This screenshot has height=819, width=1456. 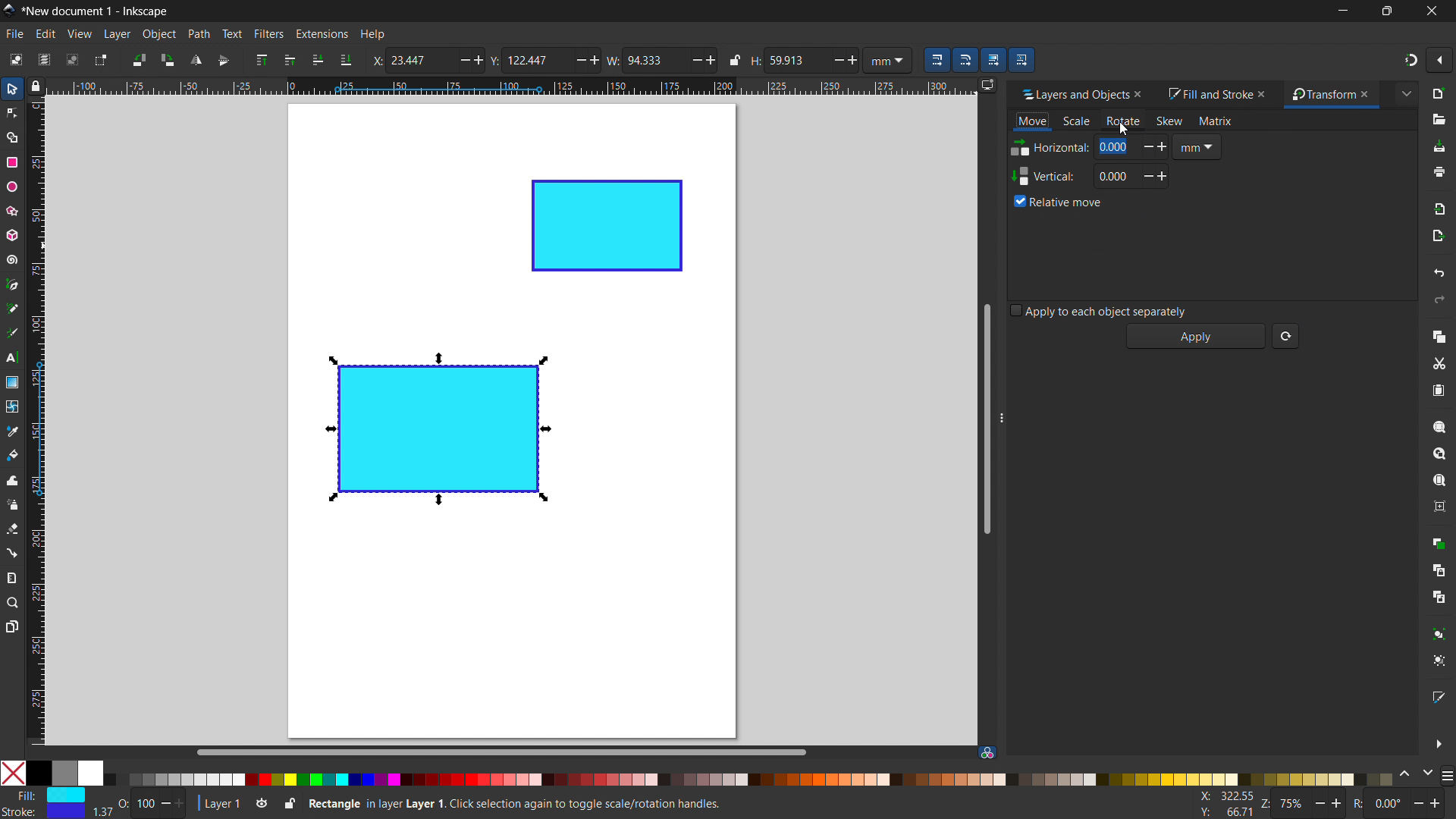 What do you see at coordinates (15, 34) in the screenshot?
I see `file` at bounding box center [15, 34].